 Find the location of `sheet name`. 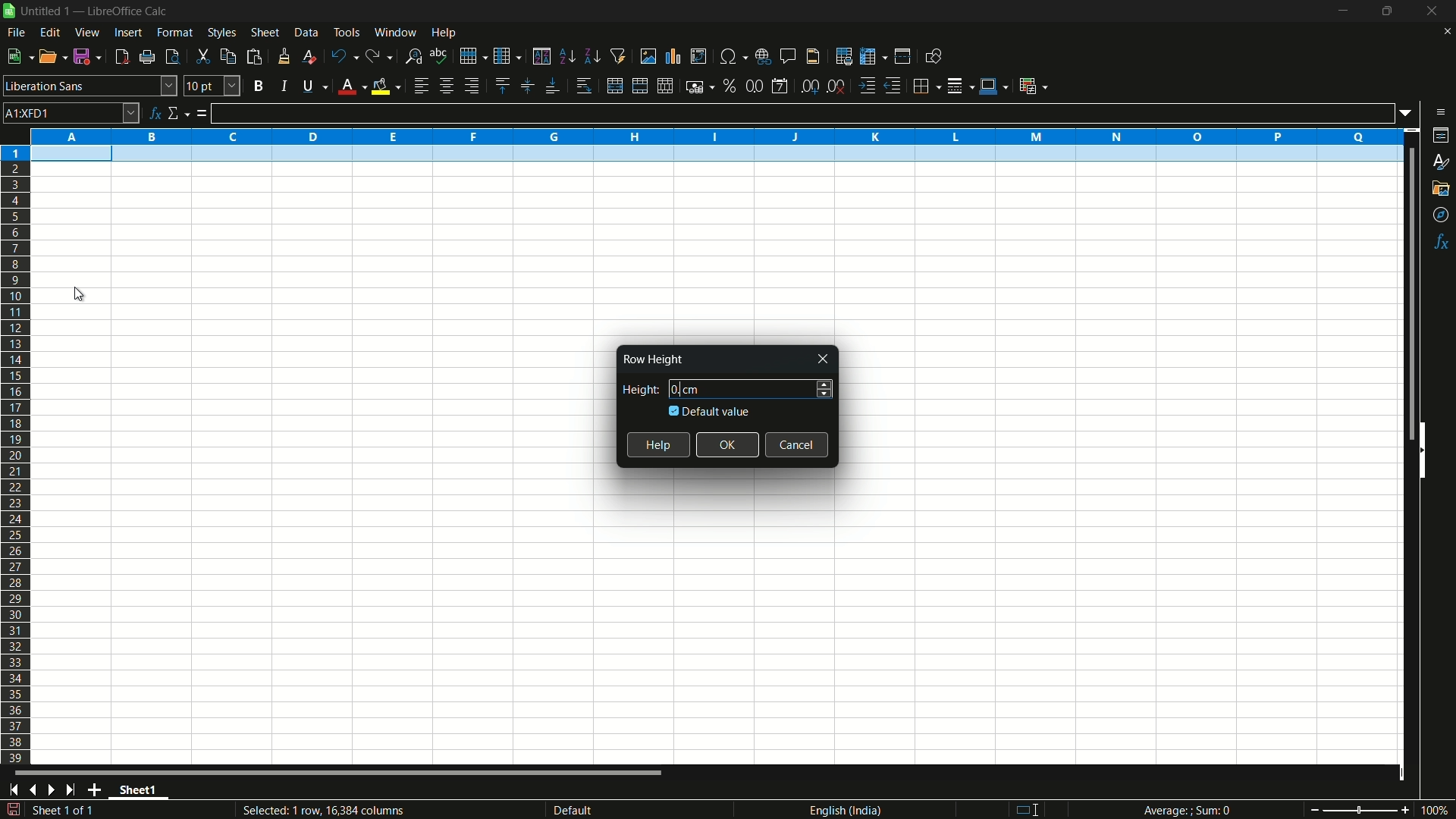

sheet name is located at coordinates (143, 792).